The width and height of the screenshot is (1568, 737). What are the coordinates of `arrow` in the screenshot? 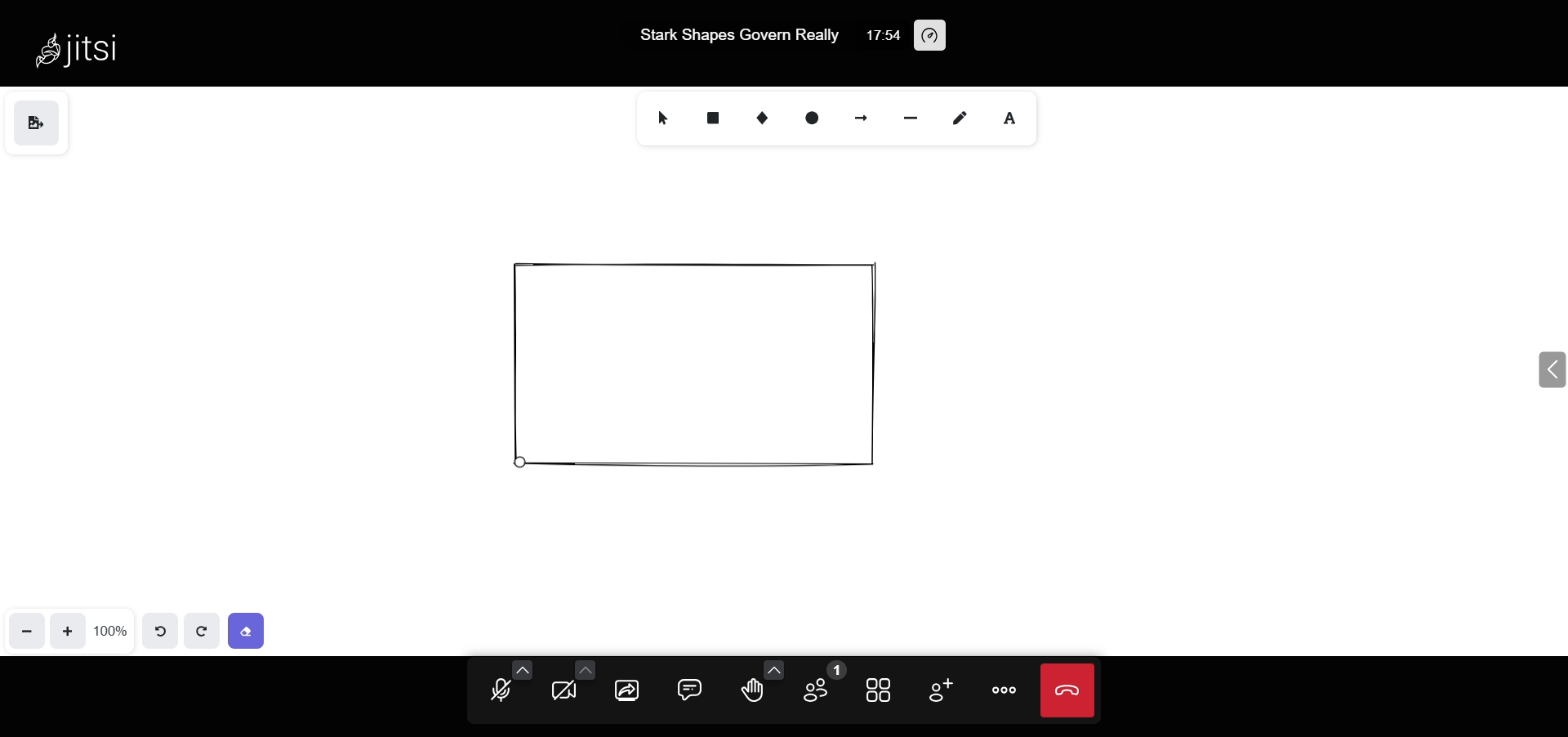 It's located at (862, 118).